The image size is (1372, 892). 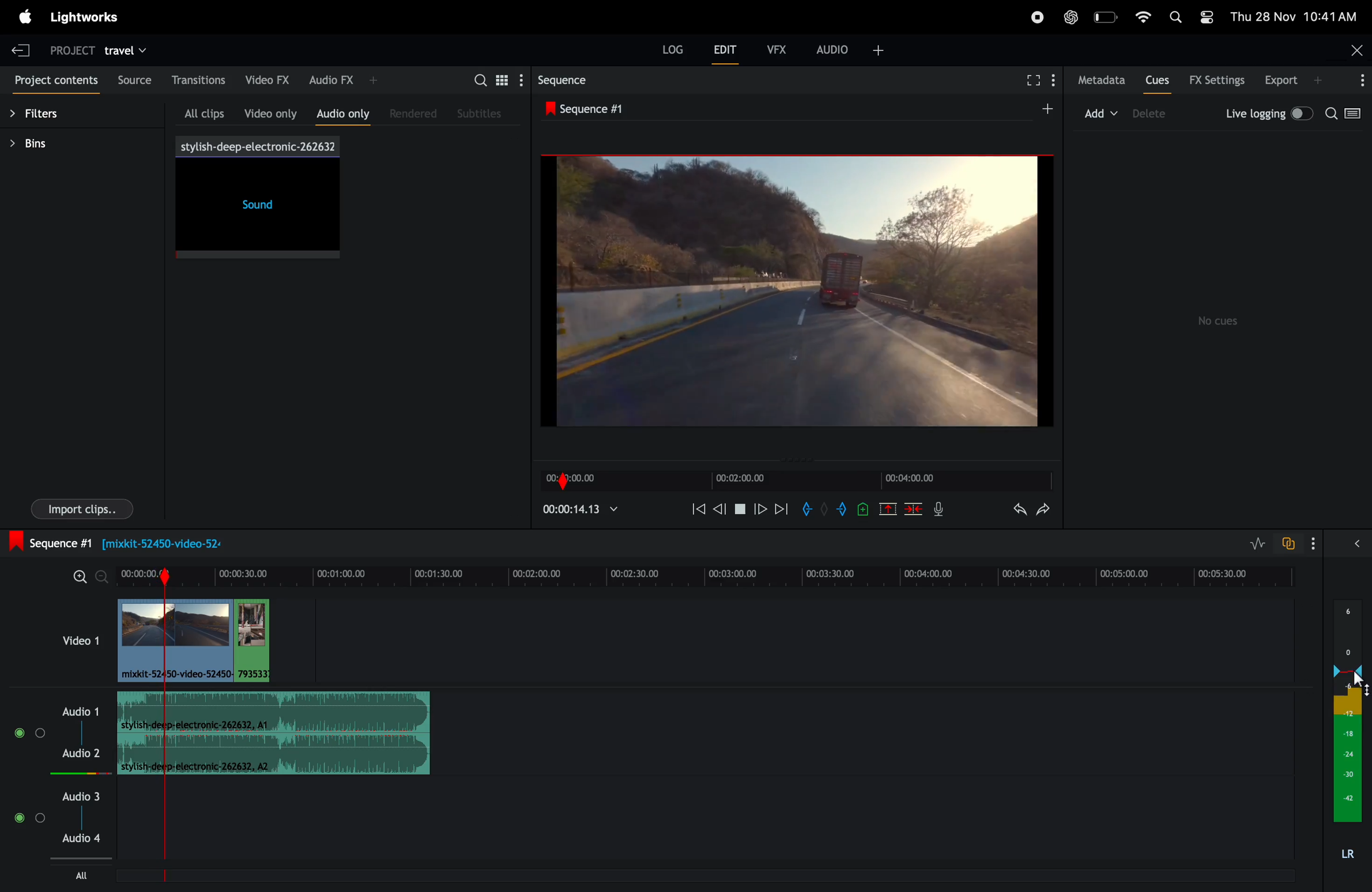 I want to click on imports, so click(x=81, y=508).